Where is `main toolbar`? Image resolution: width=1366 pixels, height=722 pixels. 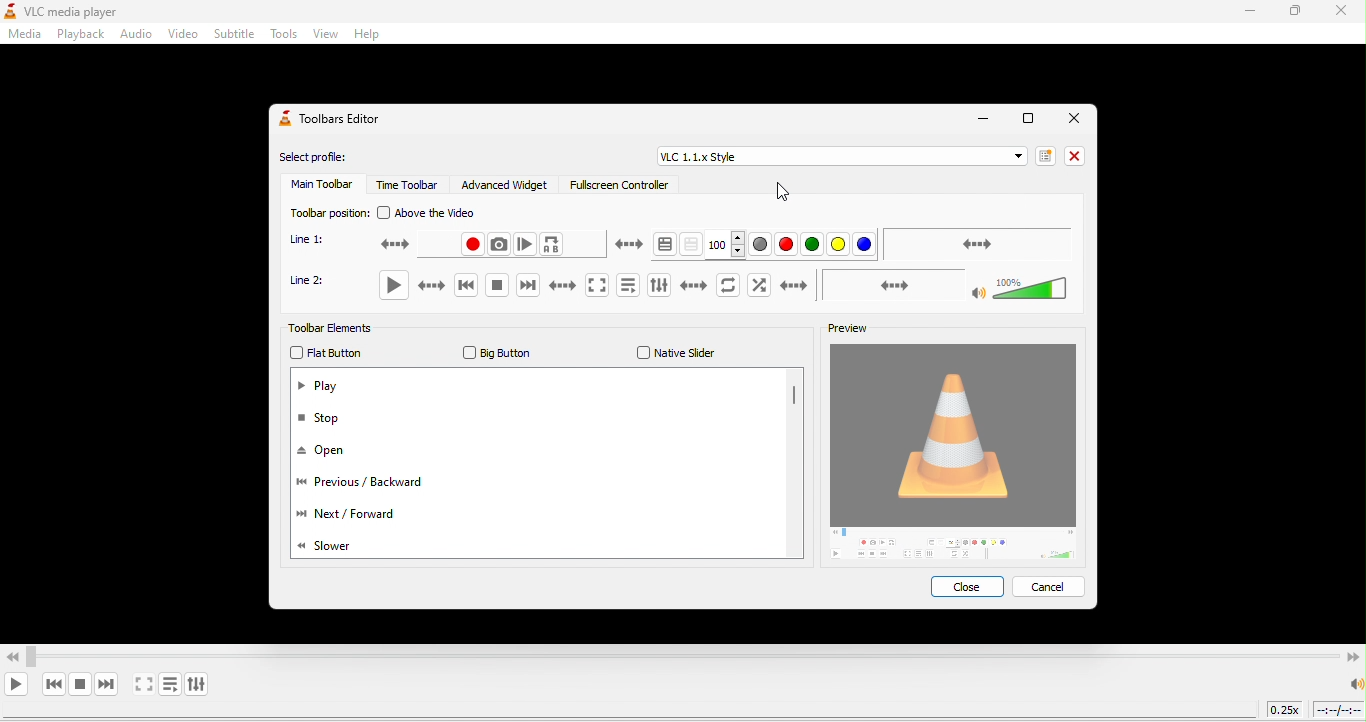 main toolbar is located at coordinates (320, 187).